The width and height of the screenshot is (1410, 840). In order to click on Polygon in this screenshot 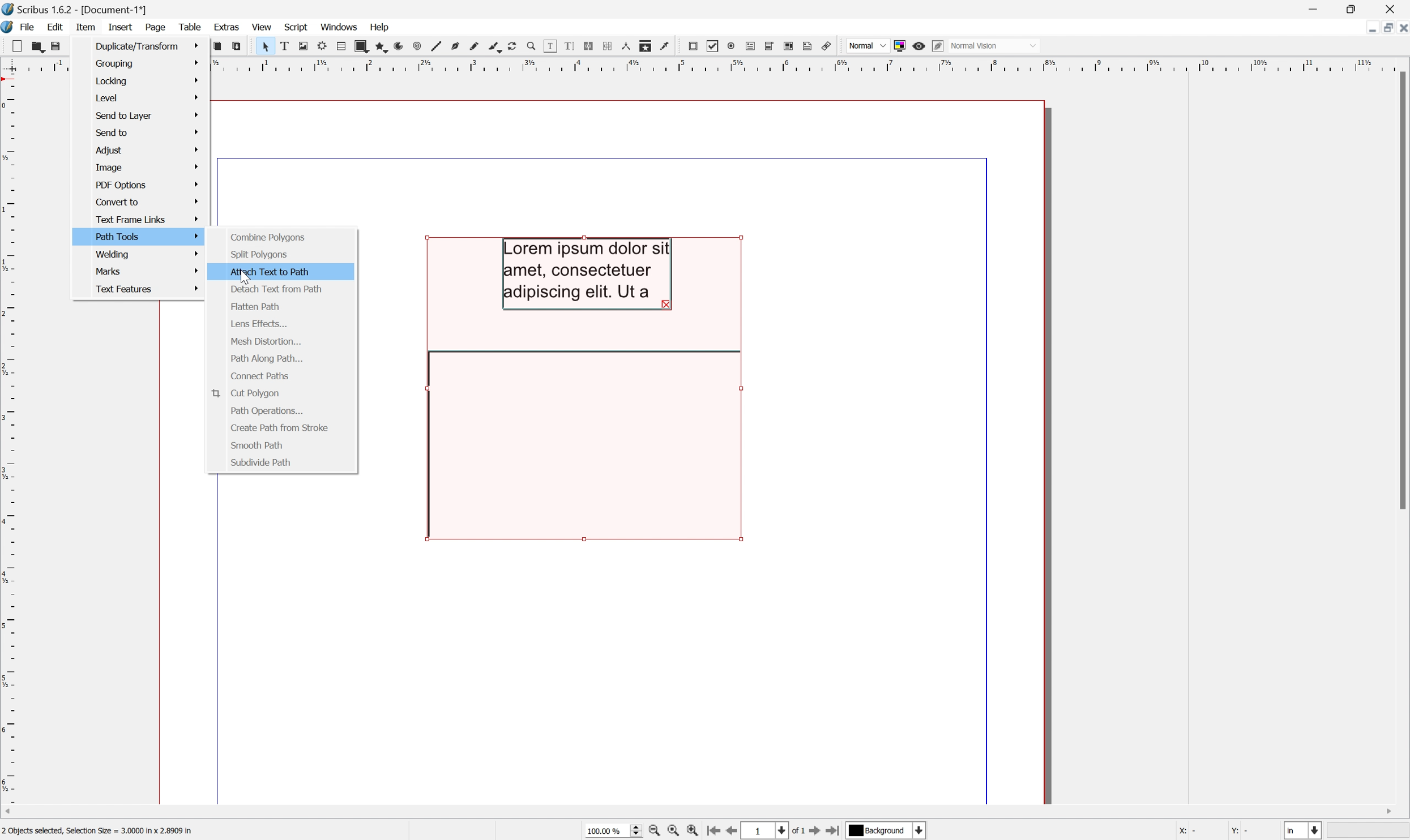, I will do `click(380, 44)`.